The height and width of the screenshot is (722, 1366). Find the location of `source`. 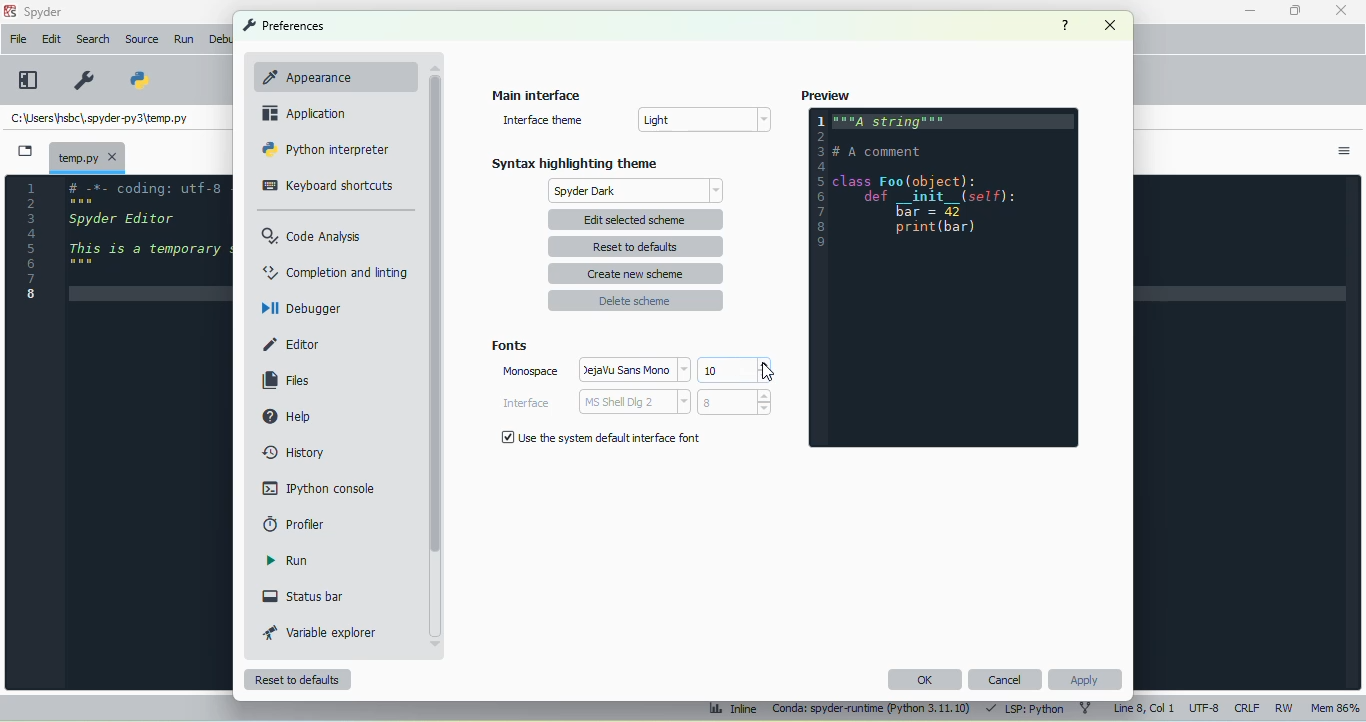

source is located at coordinates (141, 39).